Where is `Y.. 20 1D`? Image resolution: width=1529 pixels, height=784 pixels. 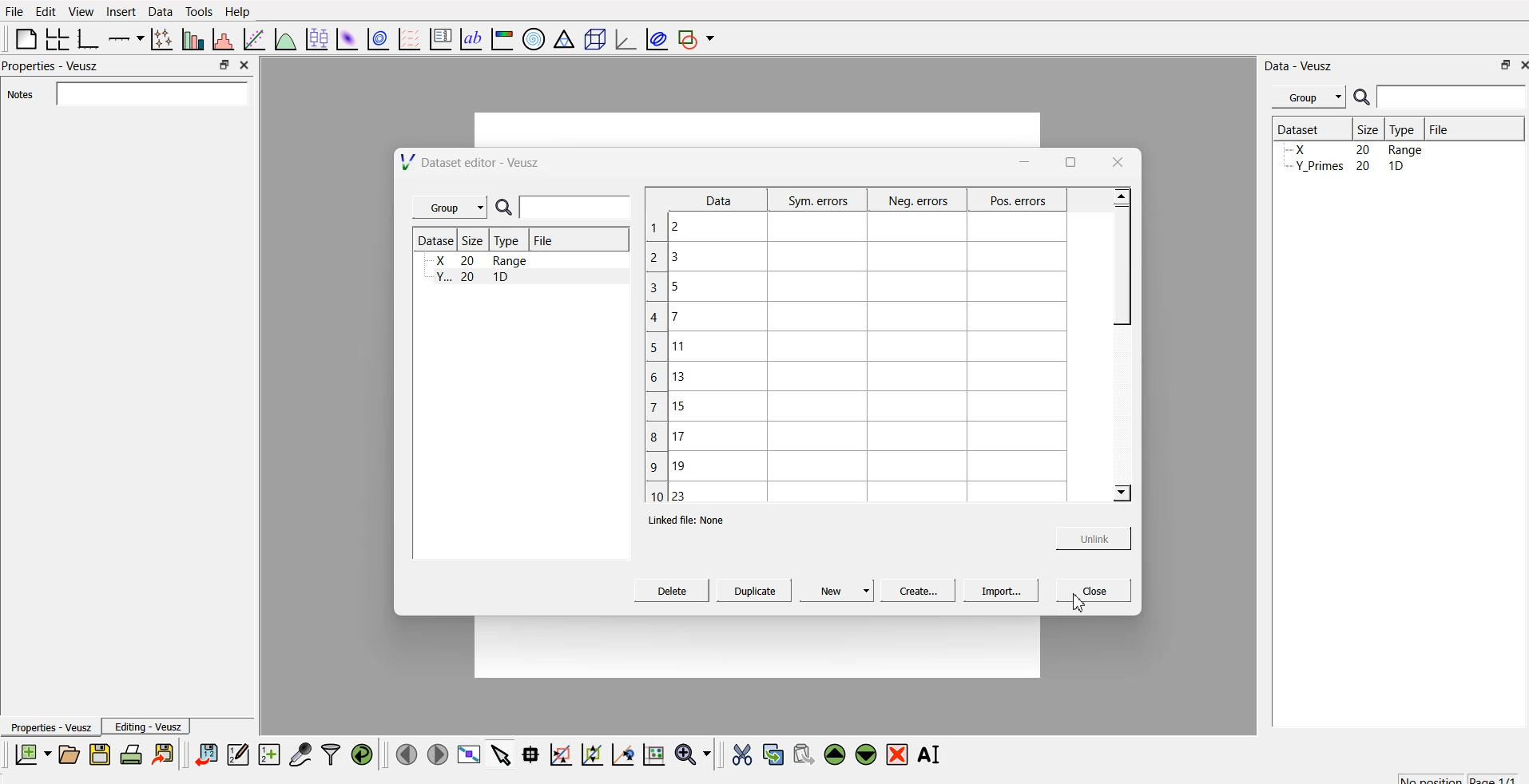
Y.. 20 1D is located at coordinates (477, 260).